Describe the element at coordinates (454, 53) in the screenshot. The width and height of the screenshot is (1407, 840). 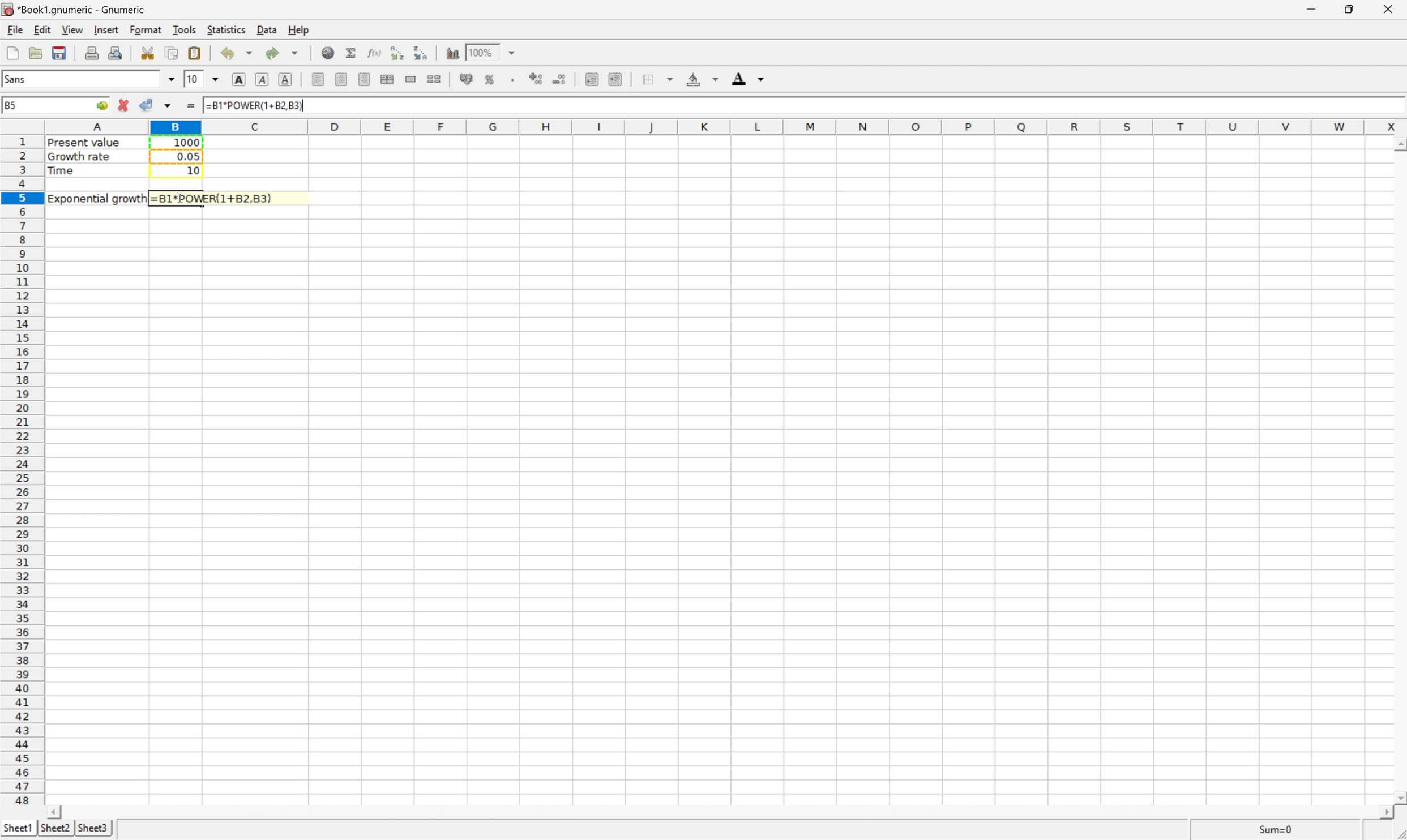
I see `Insert chart` at that location.